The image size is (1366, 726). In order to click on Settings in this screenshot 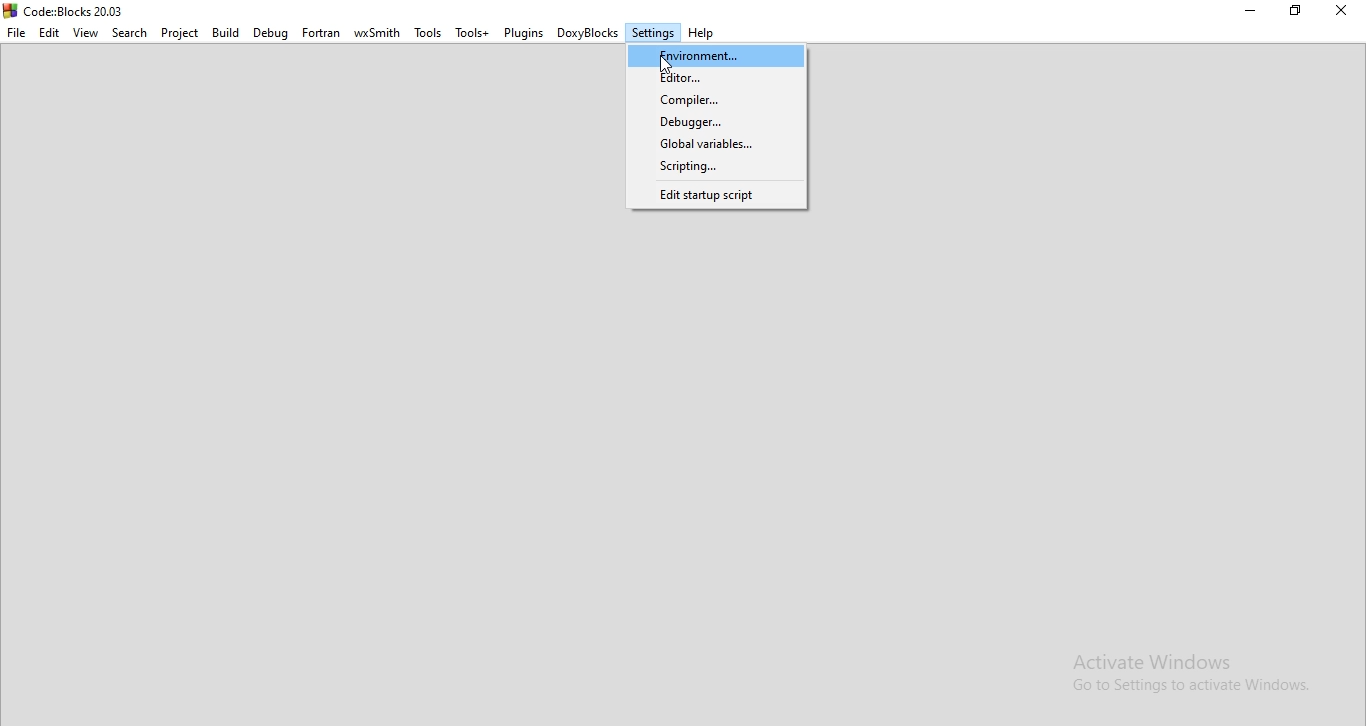, I will do `click(654, 34)`.